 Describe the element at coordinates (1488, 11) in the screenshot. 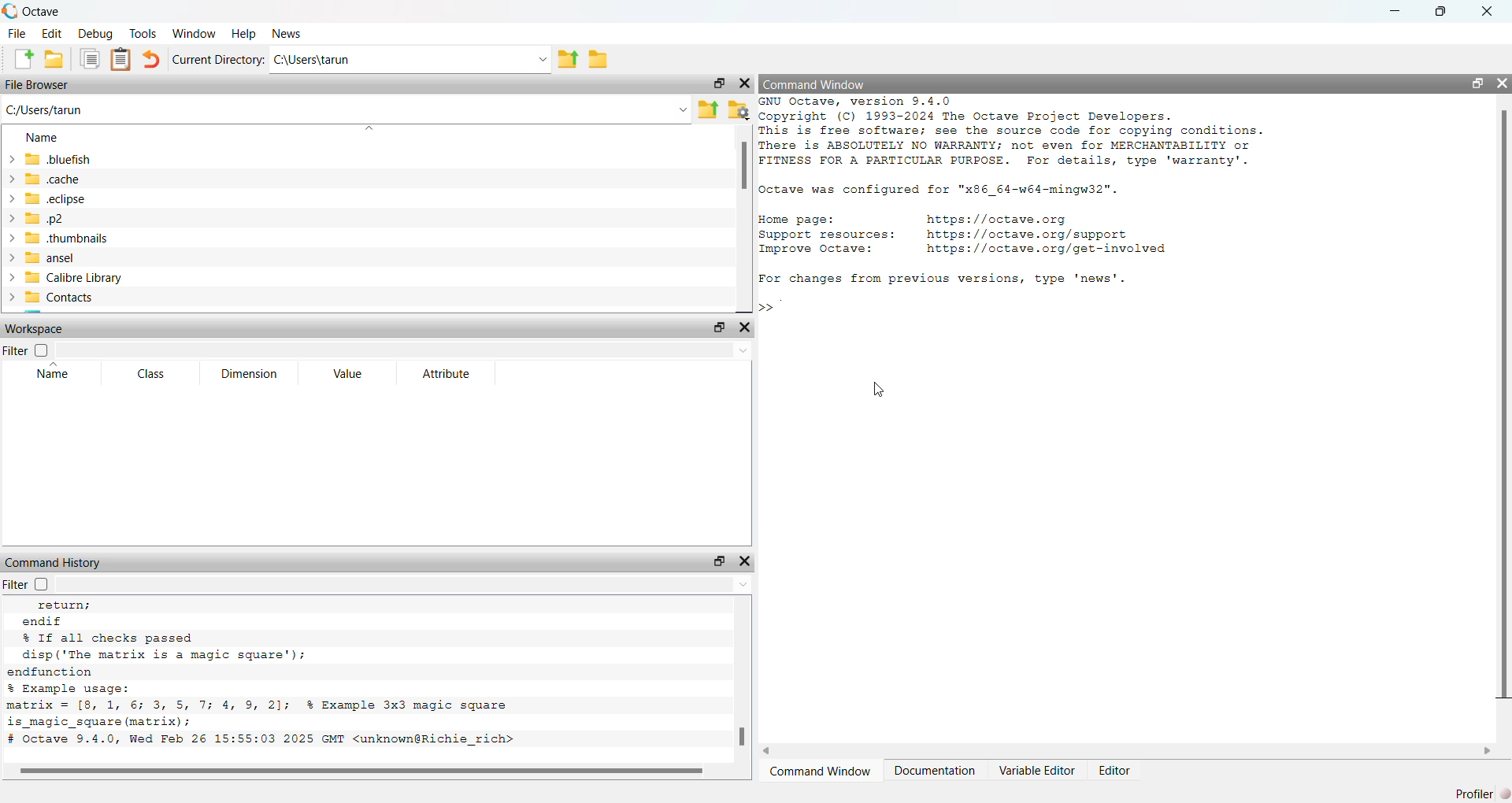

I see `close` at that location.